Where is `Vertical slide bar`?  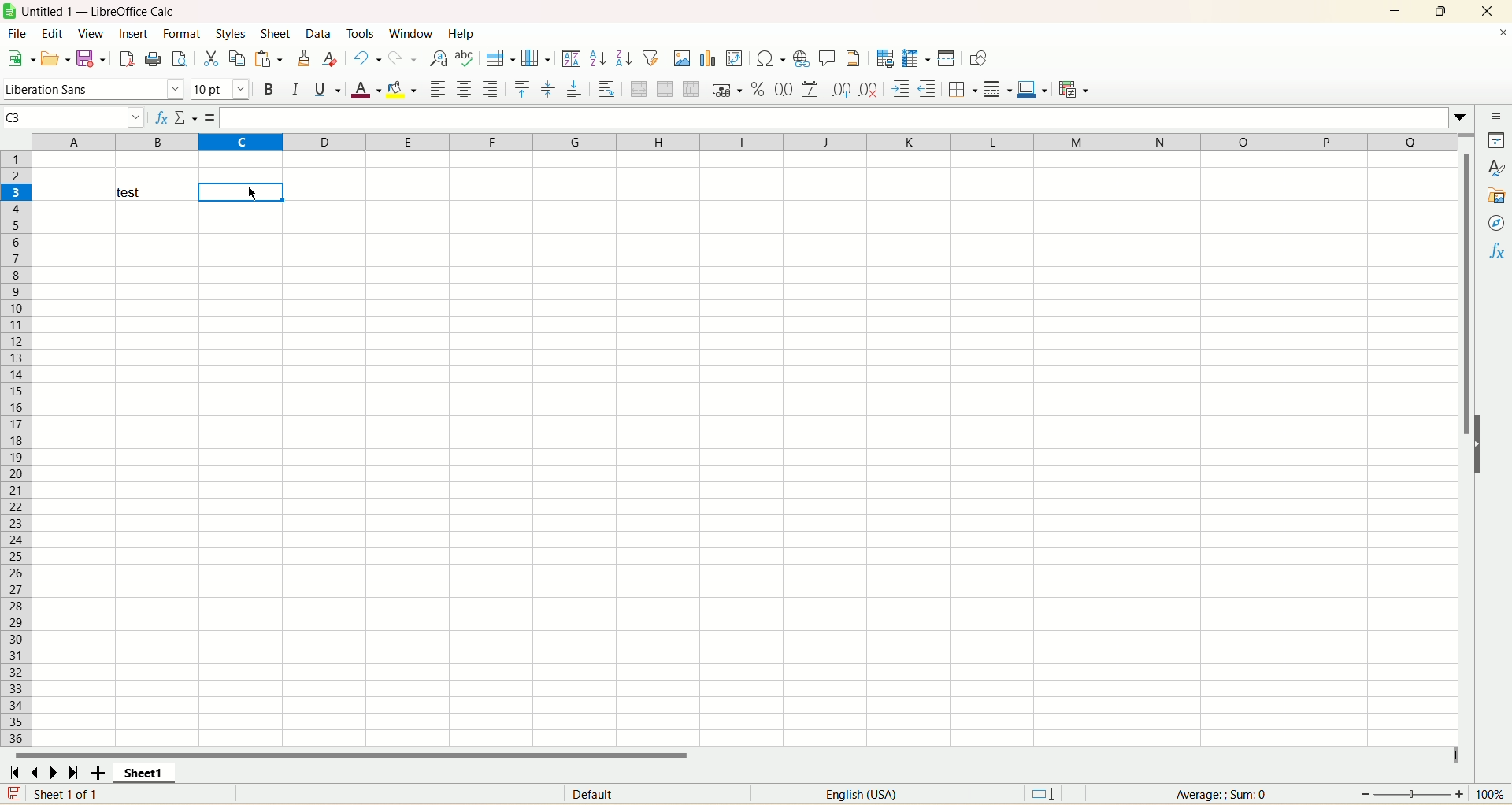 Vertical slide bar is located at coordinates (1465, 449).